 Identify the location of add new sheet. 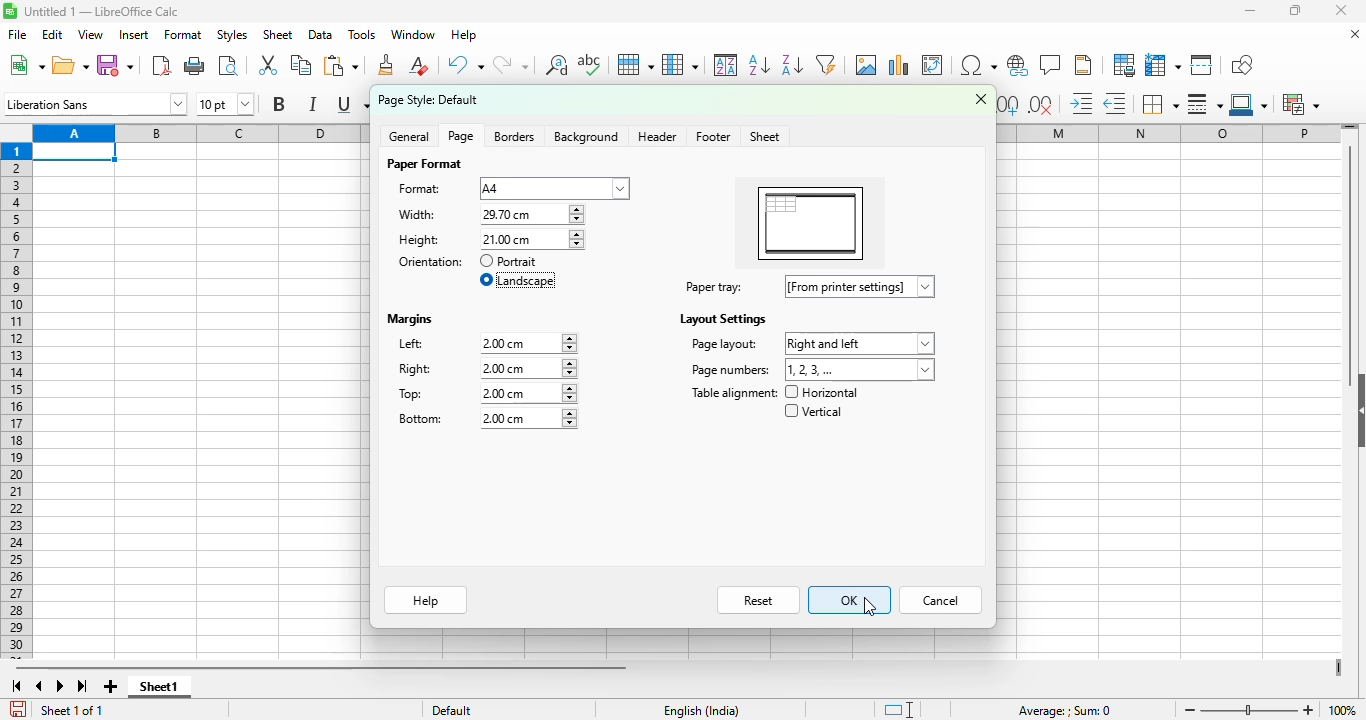
(111, 687).